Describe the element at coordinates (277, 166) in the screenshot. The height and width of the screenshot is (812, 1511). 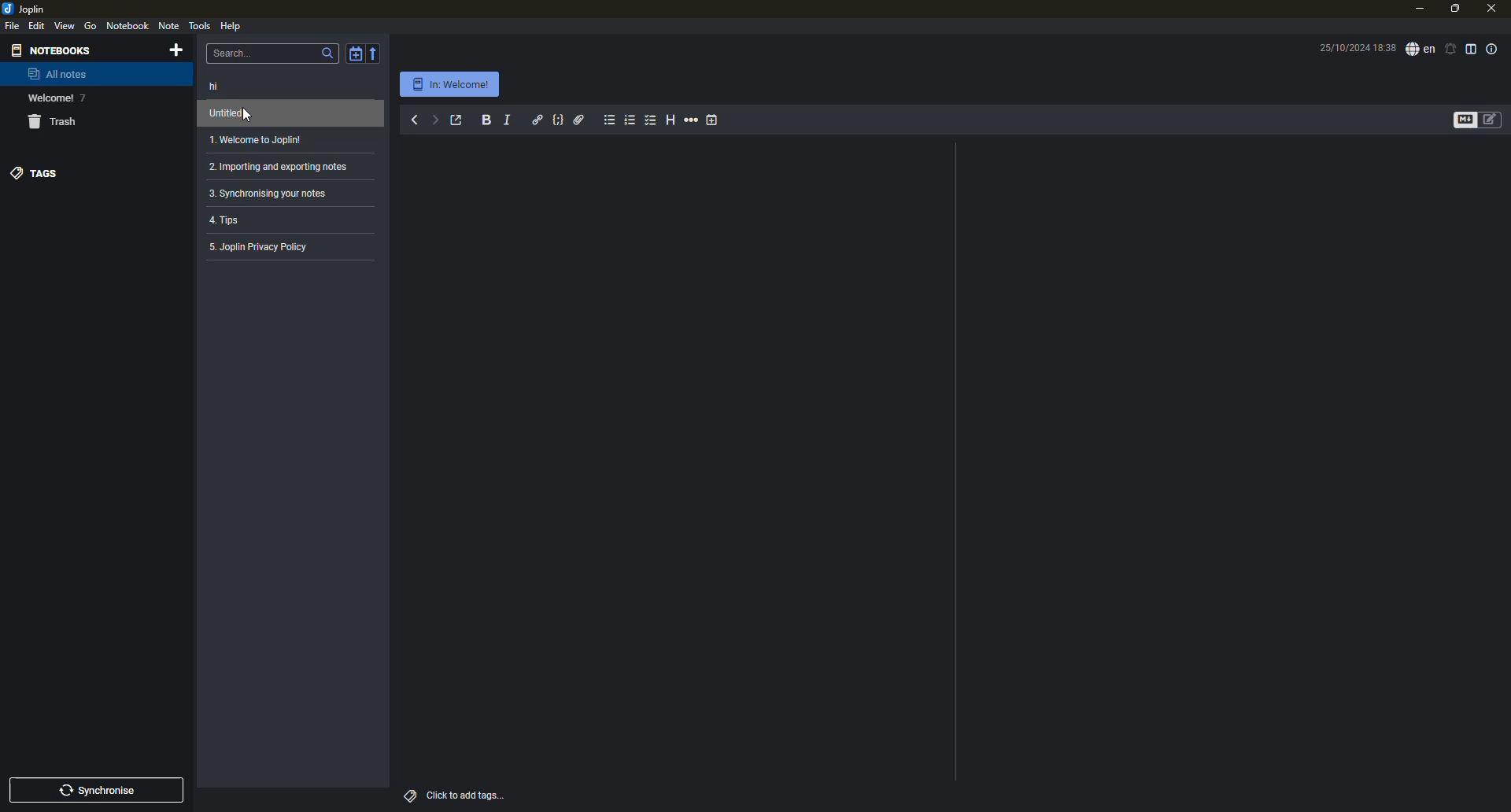
I see `2. Importing and exporting notes` at that location.